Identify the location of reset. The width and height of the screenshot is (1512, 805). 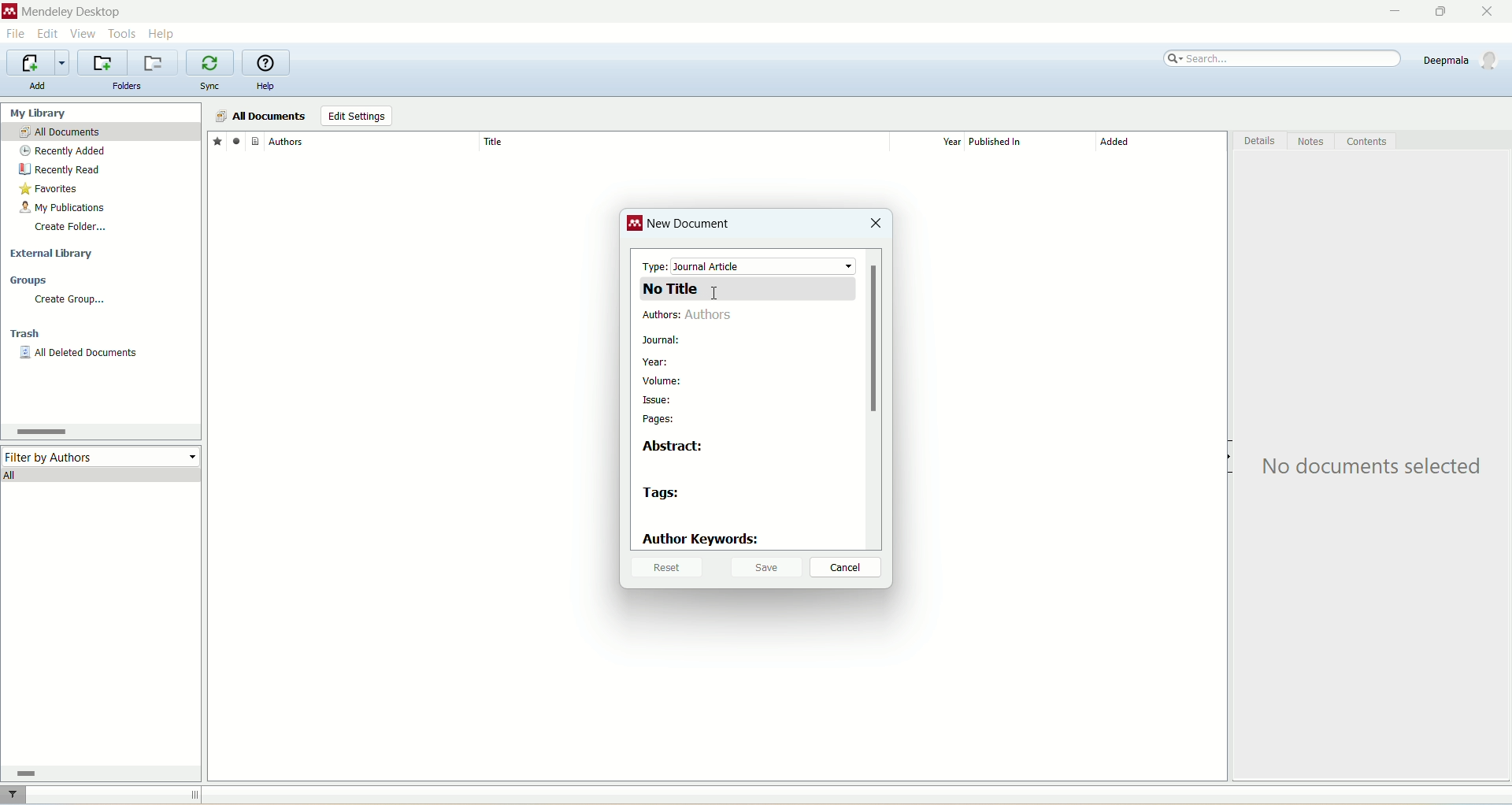
(665, 569).